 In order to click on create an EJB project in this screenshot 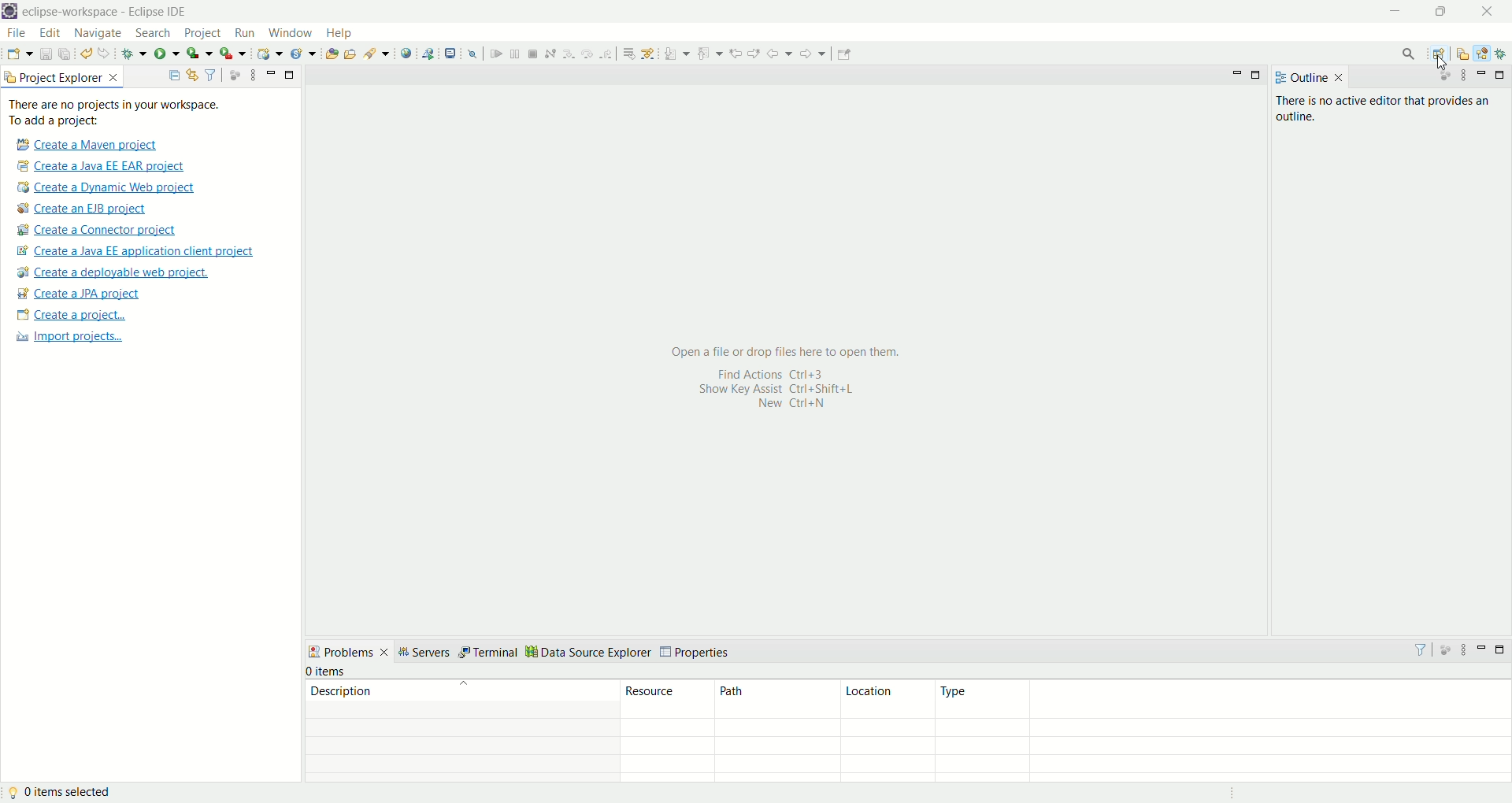, I will do `click(82, 209)`.